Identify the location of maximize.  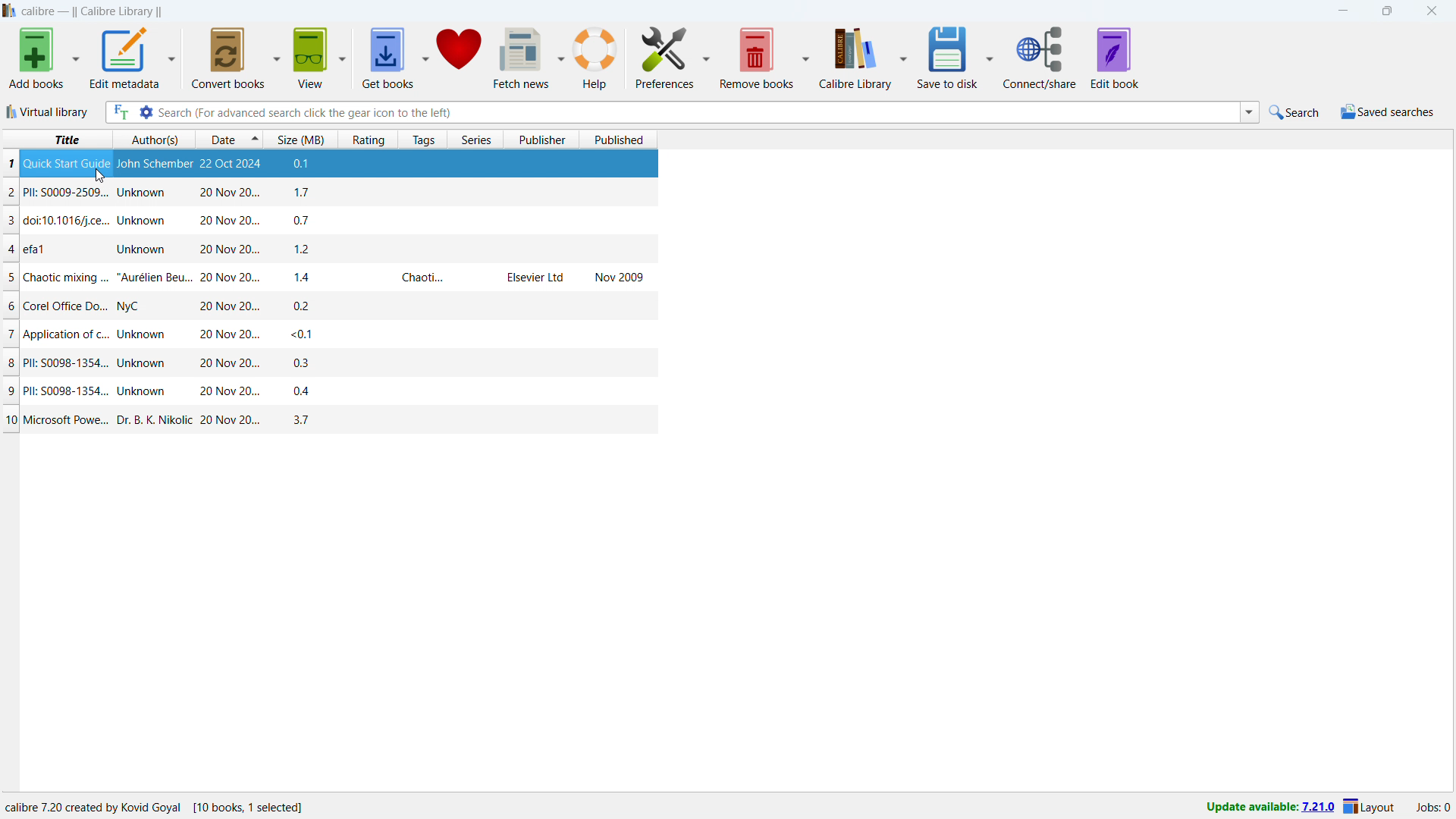
(1391, 11).